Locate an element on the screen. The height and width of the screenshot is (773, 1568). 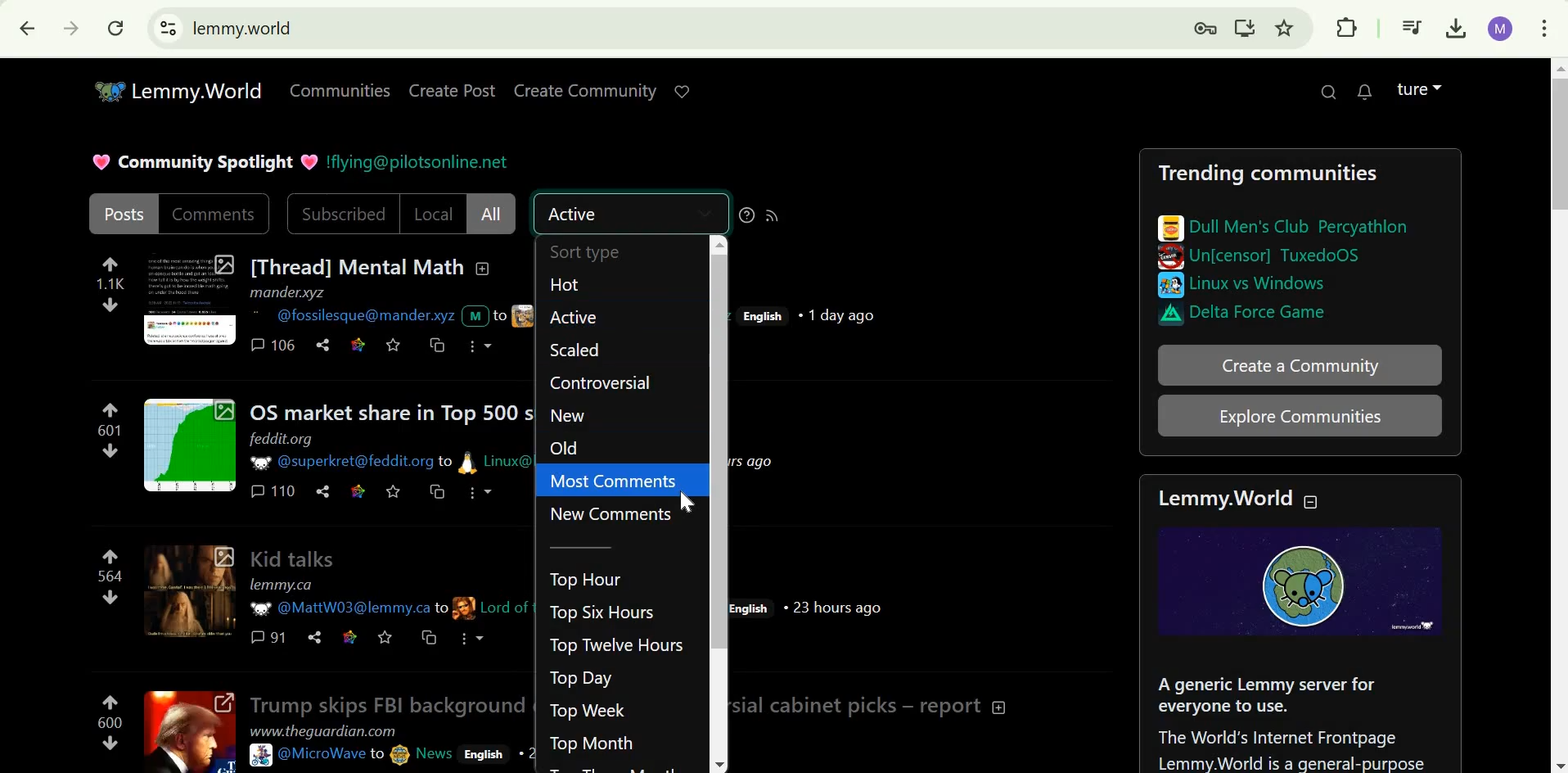
heart is located at coordinates (306, 160).